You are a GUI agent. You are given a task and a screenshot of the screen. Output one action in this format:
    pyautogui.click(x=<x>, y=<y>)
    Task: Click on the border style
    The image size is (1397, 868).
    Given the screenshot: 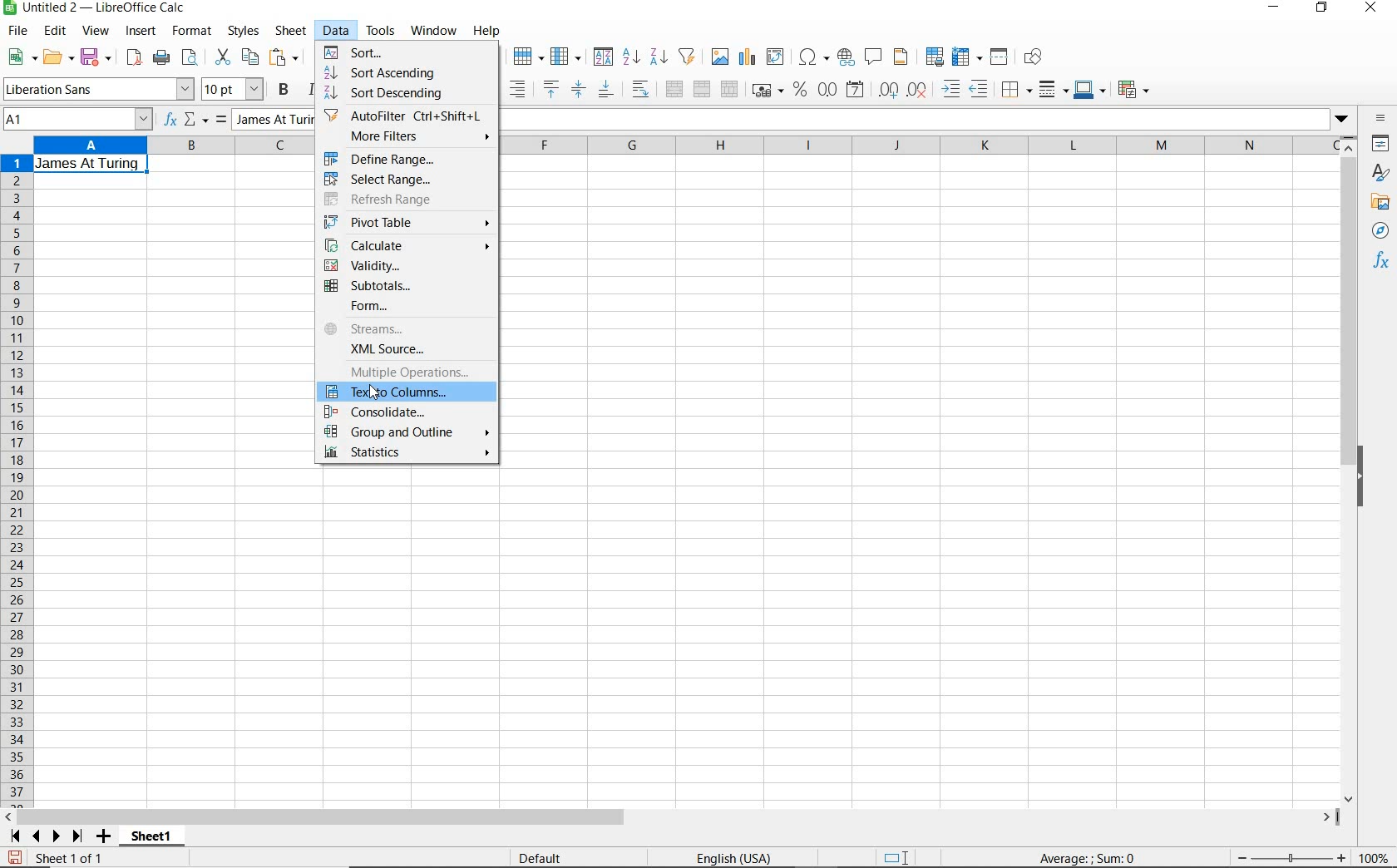 What is the action you would take?
    pyautogui.click(x=1018, y=88)
    